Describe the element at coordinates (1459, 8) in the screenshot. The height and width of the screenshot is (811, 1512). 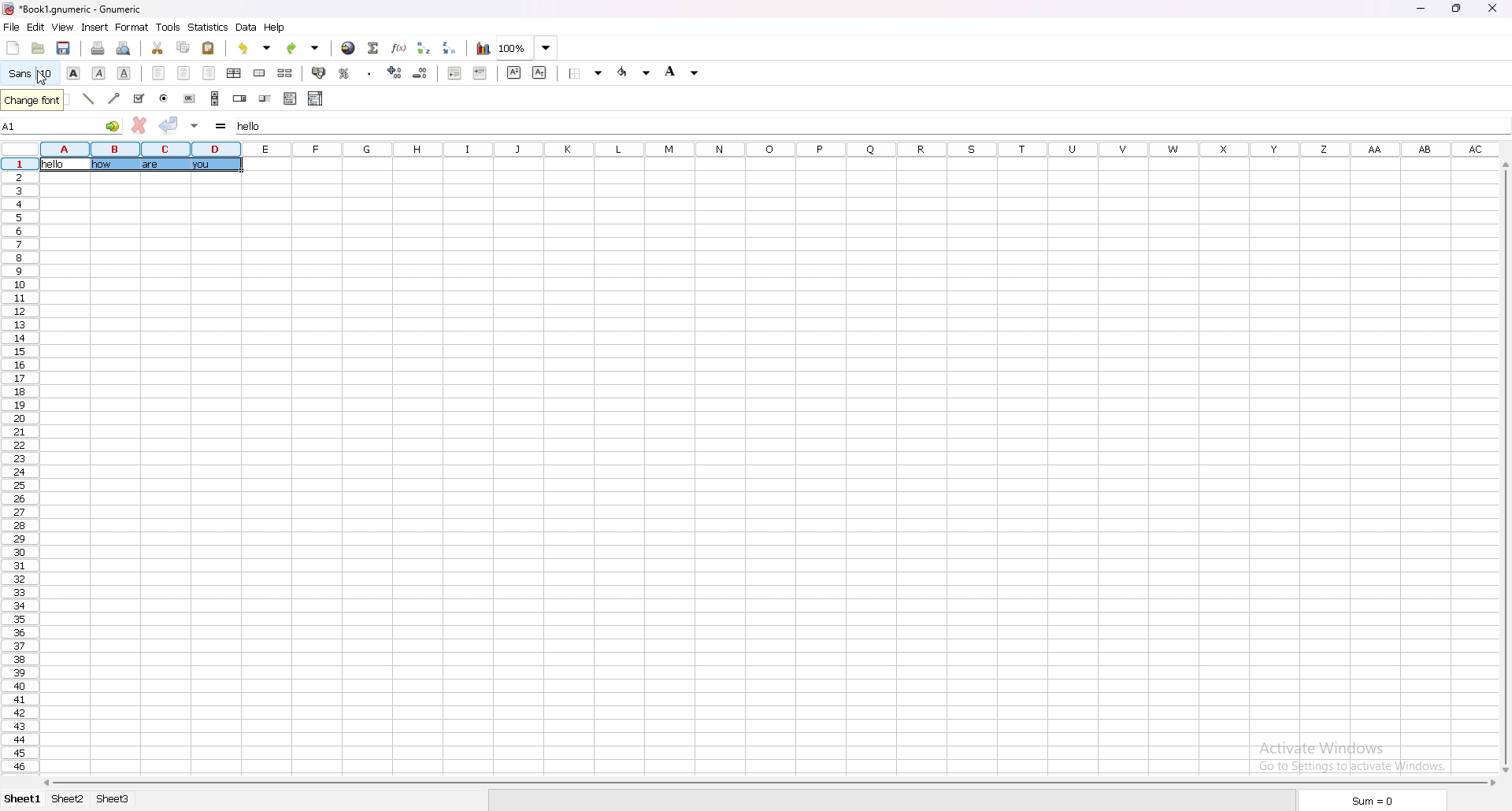
I see `resize` at that location.